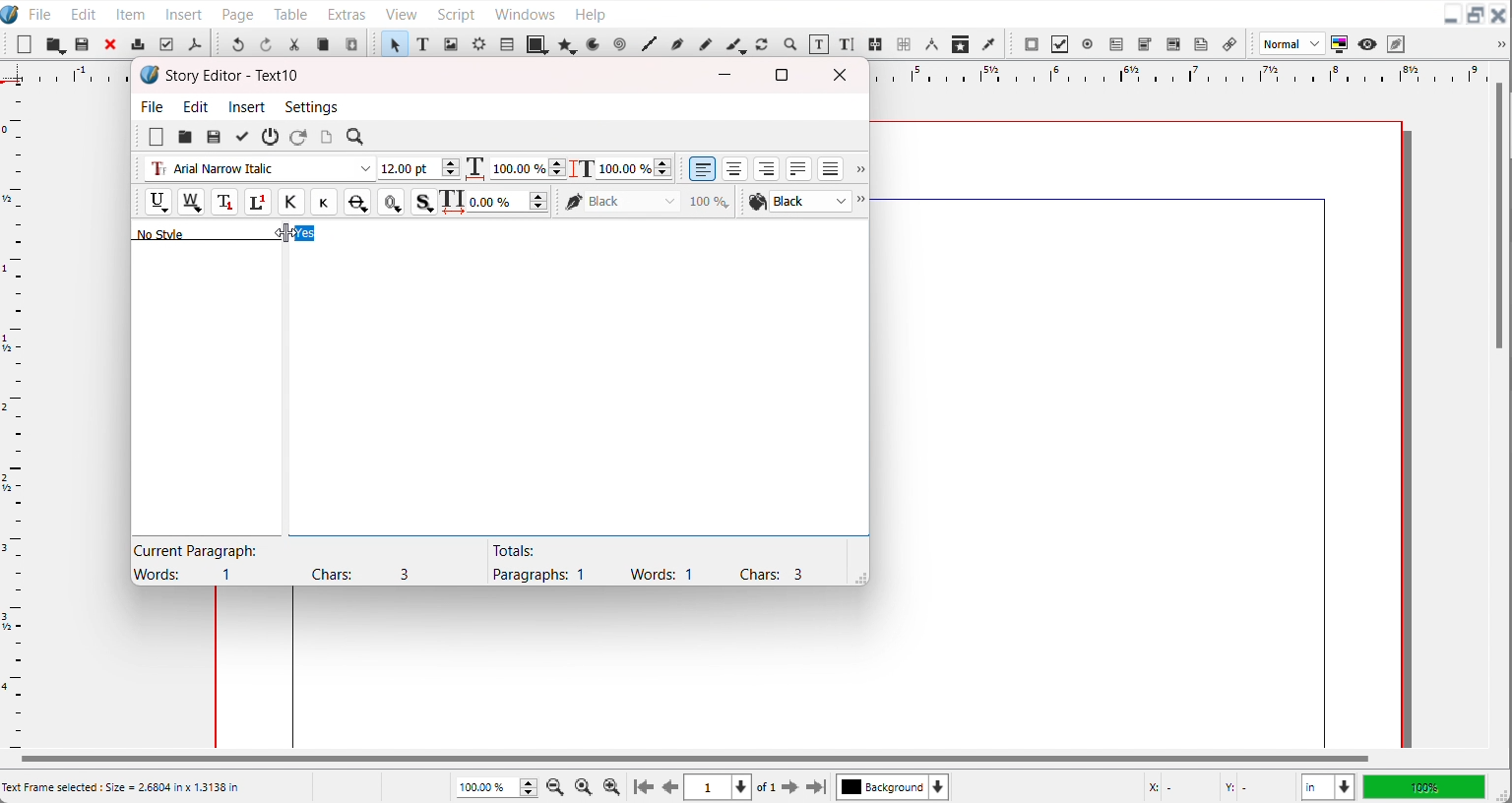 The height and width of the screenshot is (803, 1512). Describe the element at coordinates (25, 44) in the screenshot. I see `New` at that location.